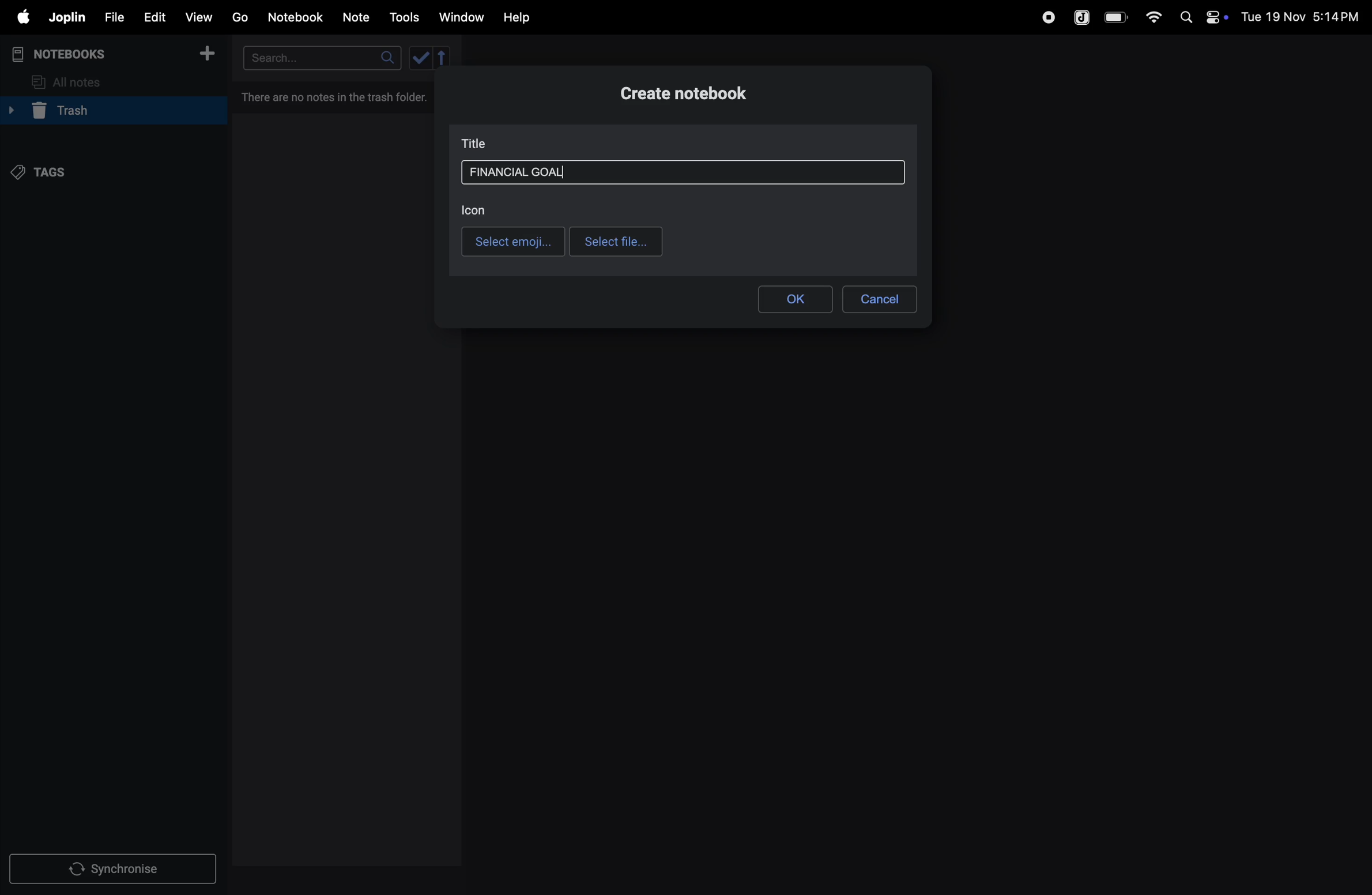 The height and width of the screenshot is (895, 1372). Describe the element at coordinates (1201, 16) in the screenshot. I see `apple widgets` at that location.